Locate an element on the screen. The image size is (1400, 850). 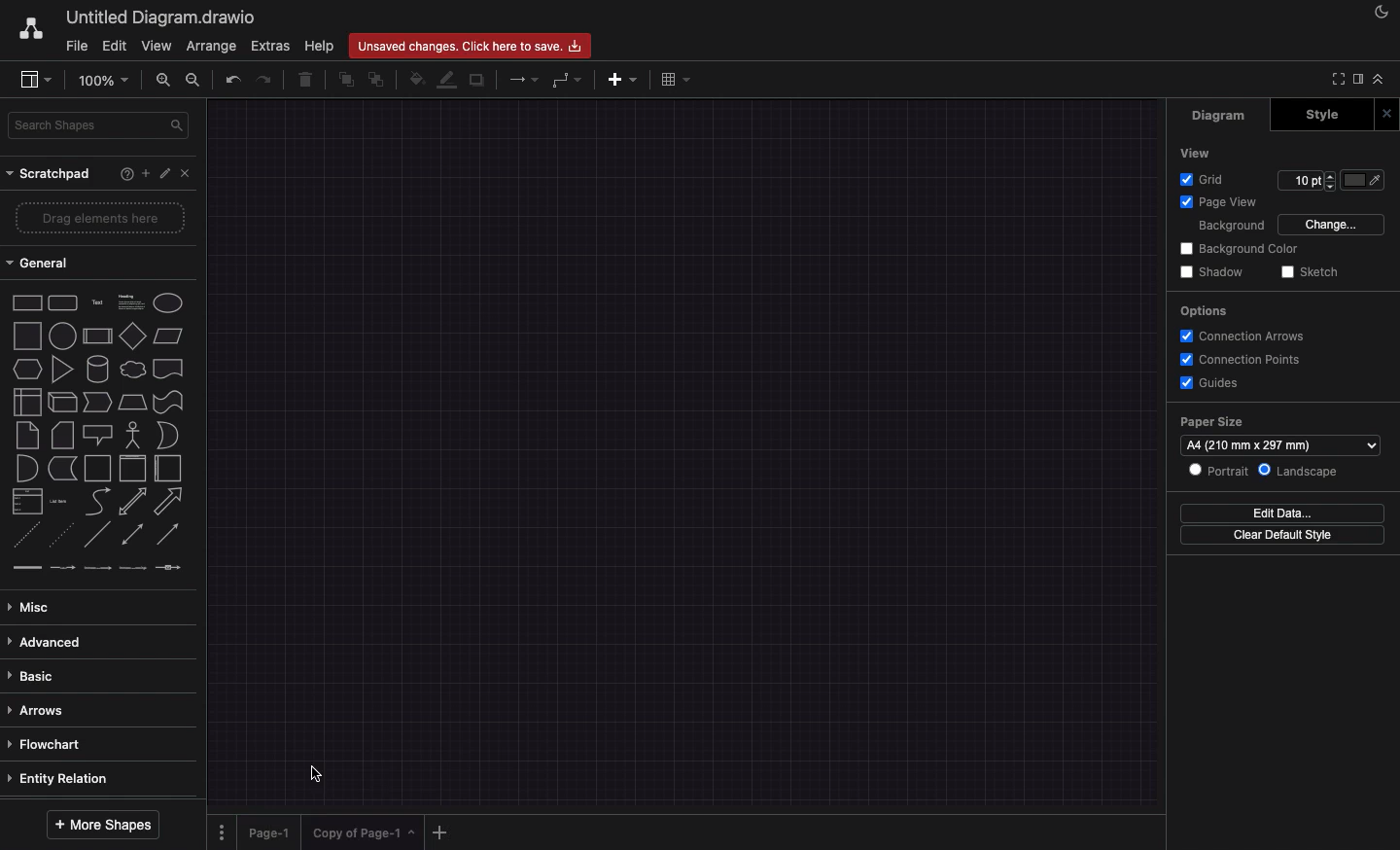
copy of page 1 is located at coordinates (362, 832).